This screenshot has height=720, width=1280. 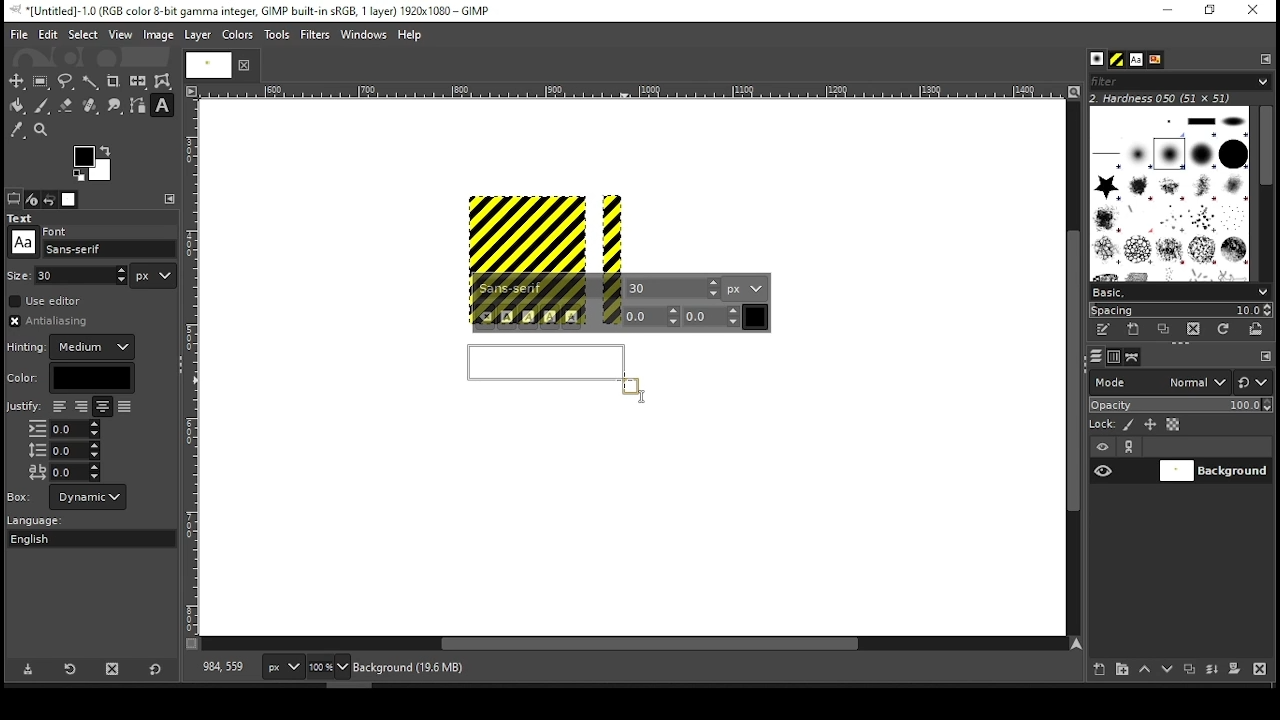 What do you see at coordinates (572, 317) in the screenshot?
I see `strikethrough` at bounding box center [572, 317].